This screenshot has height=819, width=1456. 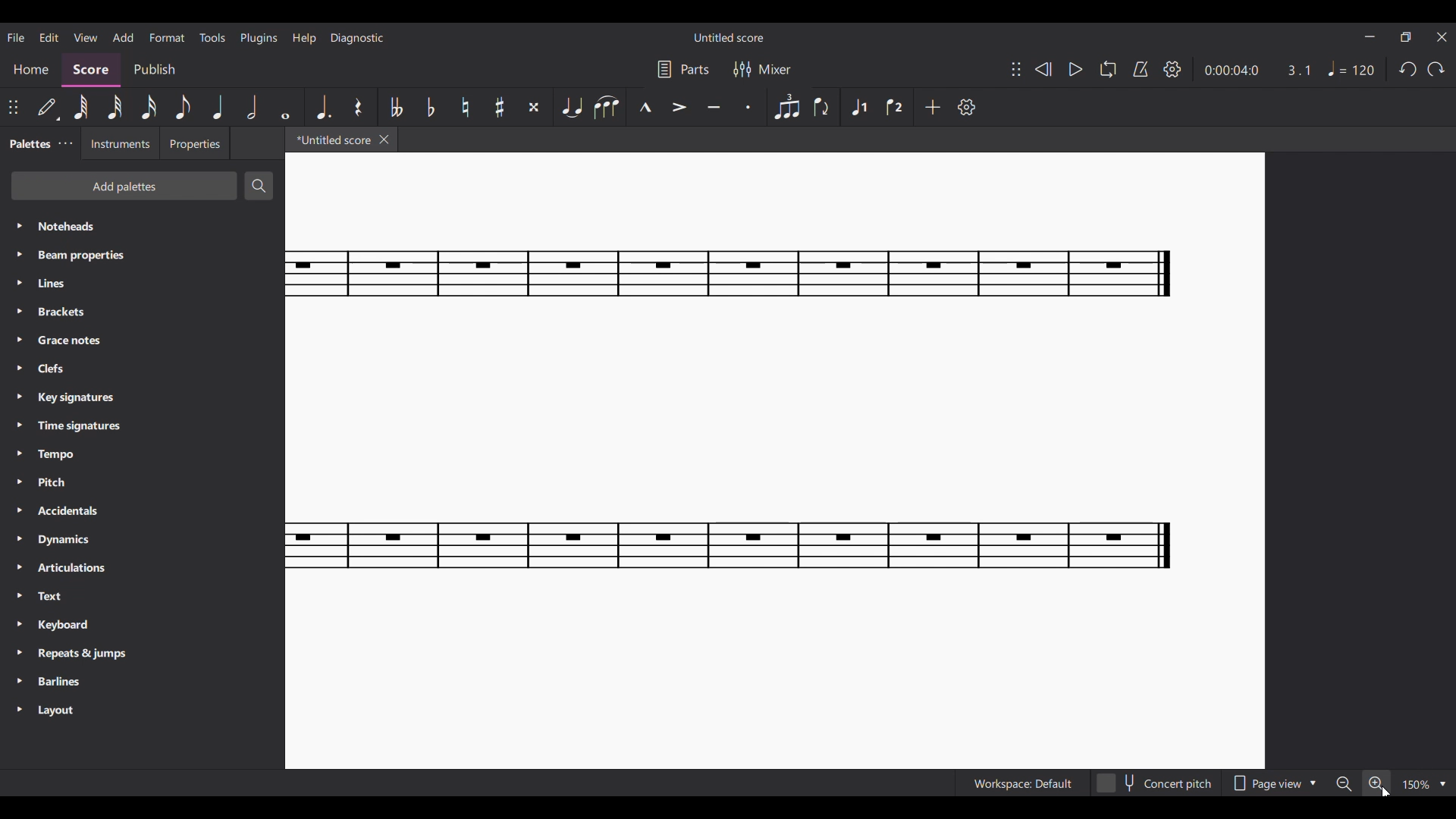 What do you see at coordinates (252, 107) in the screenshot?
I see `Half note` at bounding box center [252, 107].